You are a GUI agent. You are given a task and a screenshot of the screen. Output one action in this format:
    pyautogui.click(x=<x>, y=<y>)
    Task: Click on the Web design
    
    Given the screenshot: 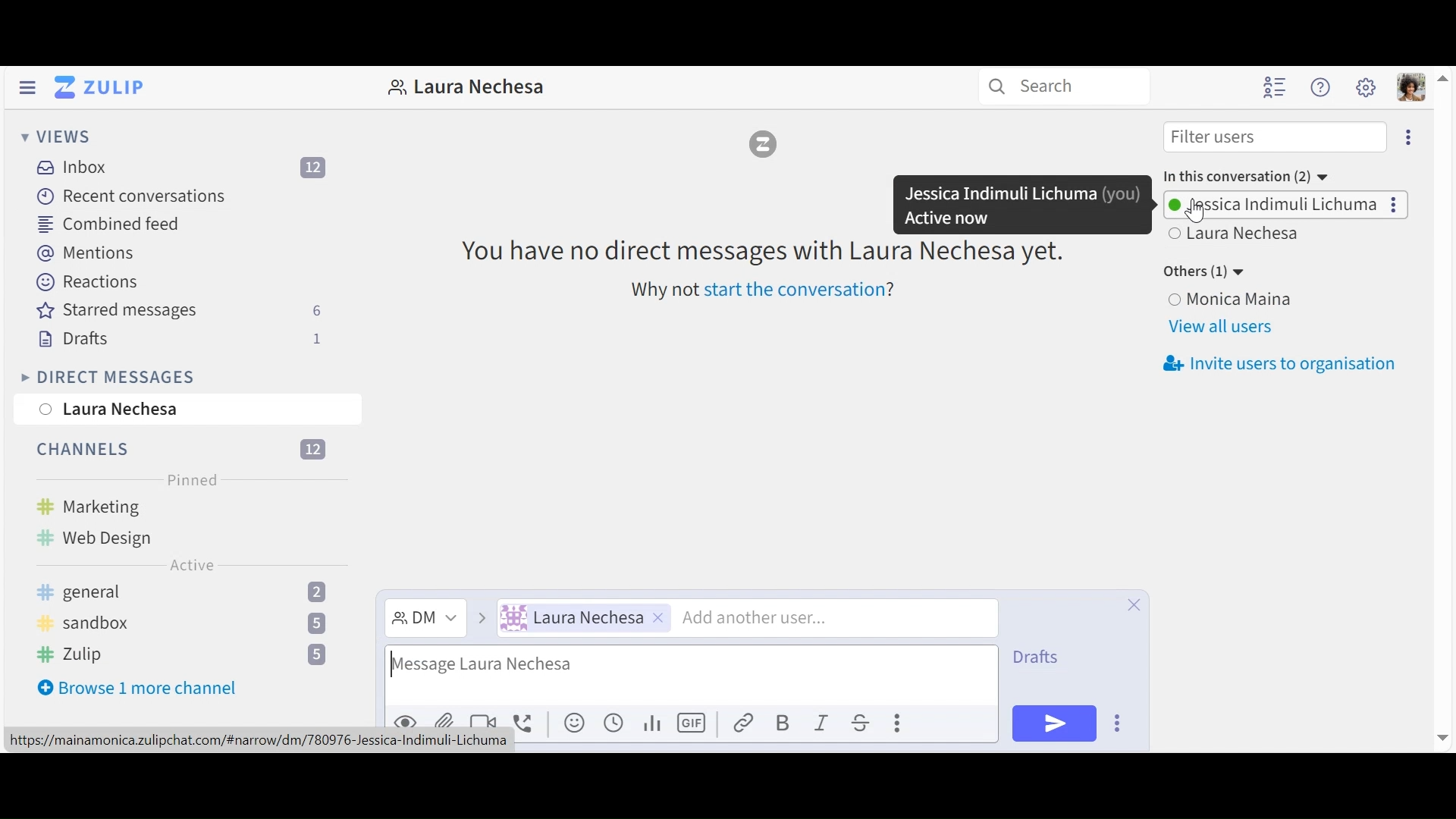 What is the action you would take?
    pyautogui.click(x=93, y=535)
    